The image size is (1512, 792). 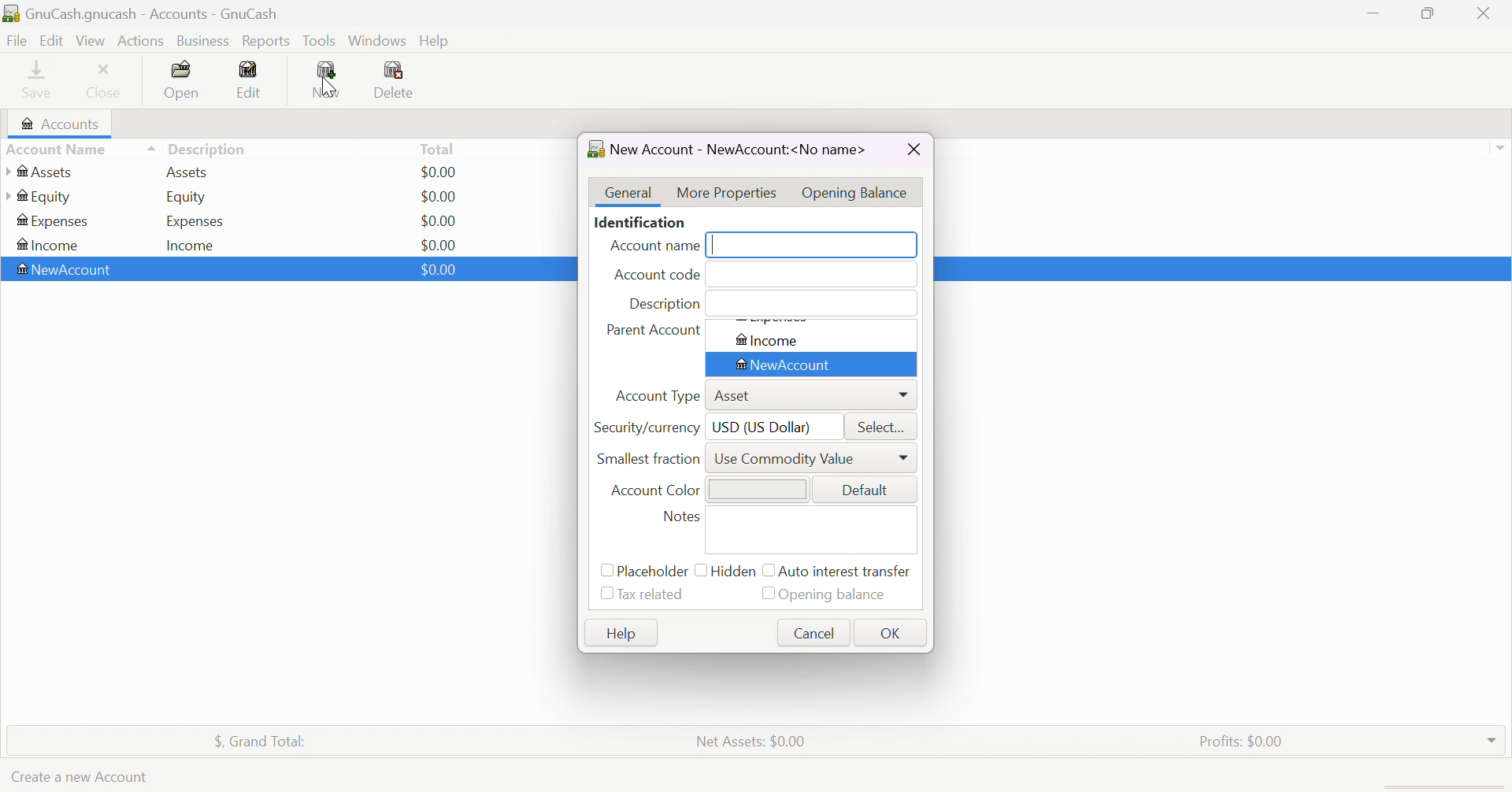 I want to click on Select..., so click(x=885, y=428).